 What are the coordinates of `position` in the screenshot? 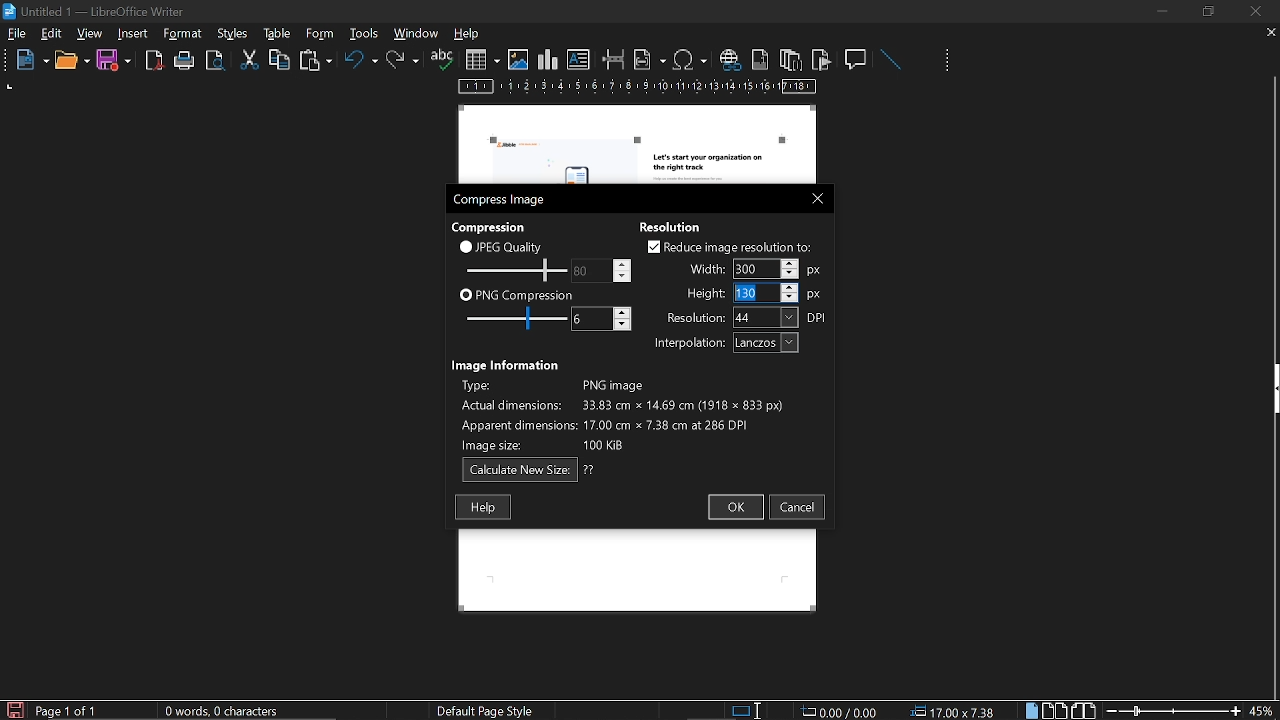 It's located at (956, 711).